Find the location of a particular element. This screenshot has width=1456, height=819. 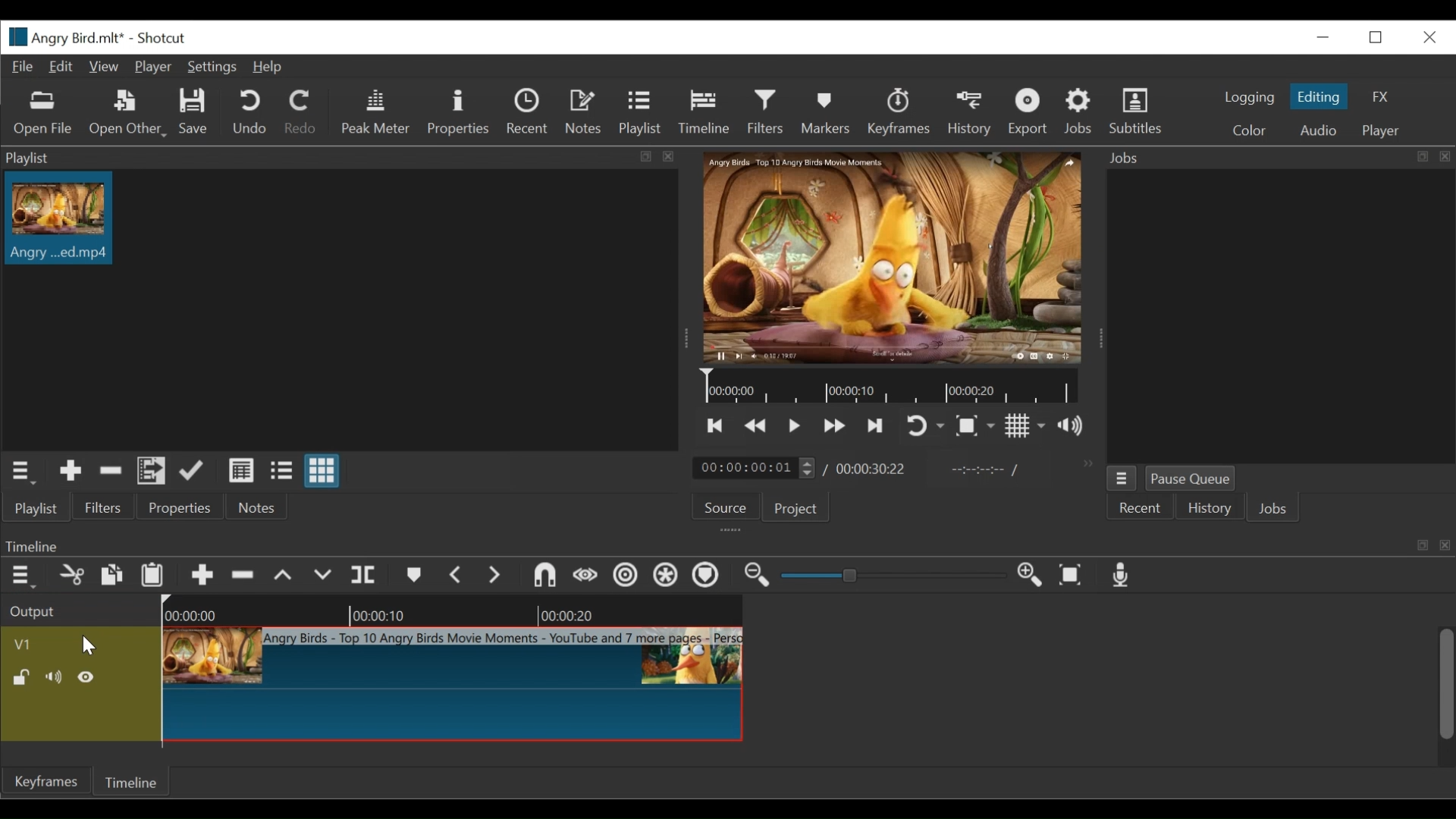

Skip to the next point is located at coordinates (876, 425).